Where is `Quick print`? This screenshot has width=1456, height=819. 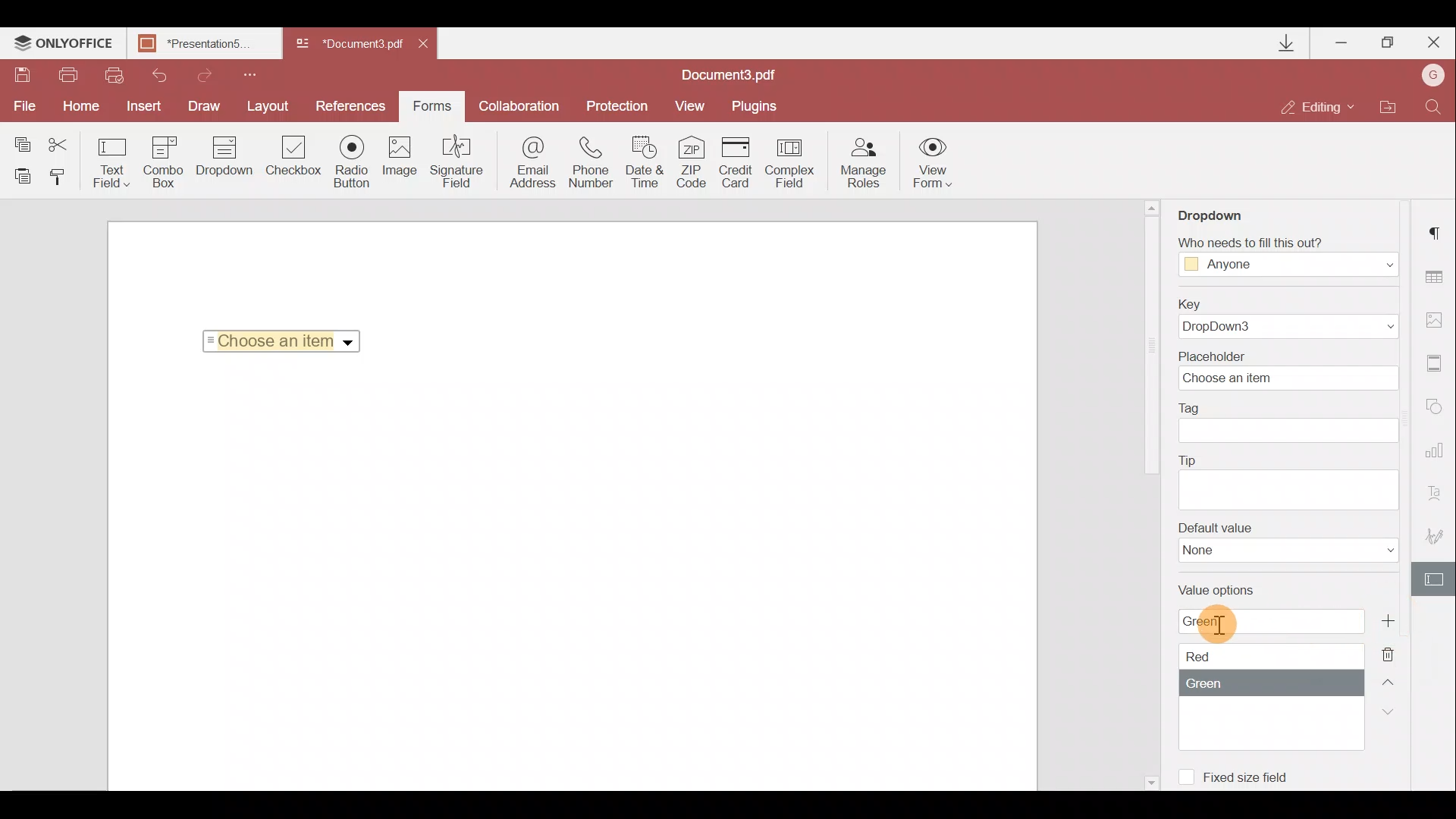
Quick print is located at coordinates (115, 75).